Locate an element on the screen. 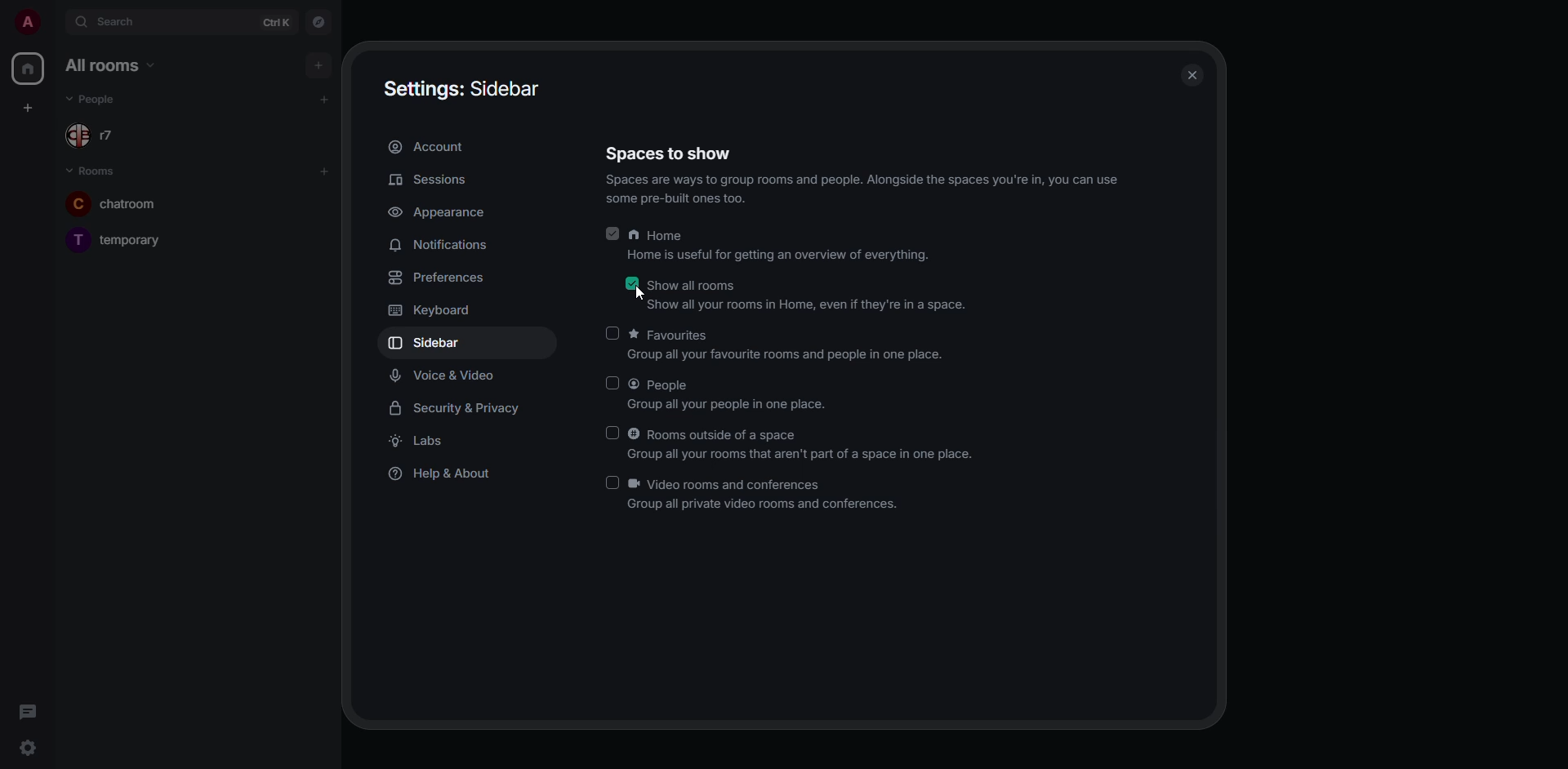 The width and height of the screenshot is (1568, 769). @ Video rooms and conferences
Group all private video rooms and conferences. is located at coordinates (771, 496).